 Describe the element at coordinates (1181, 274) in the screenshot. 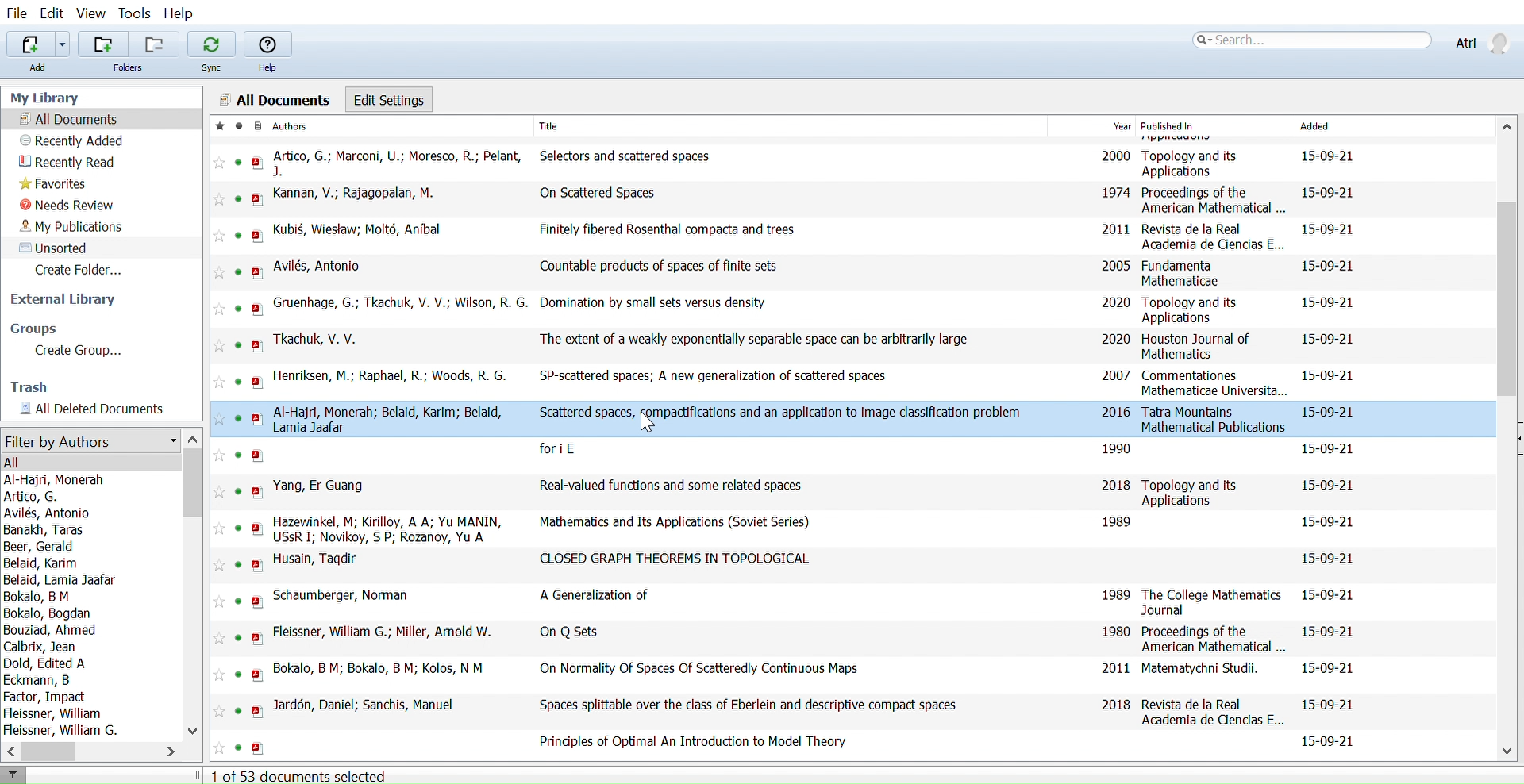

I see `Fundamenta Mathematicae` at that location.